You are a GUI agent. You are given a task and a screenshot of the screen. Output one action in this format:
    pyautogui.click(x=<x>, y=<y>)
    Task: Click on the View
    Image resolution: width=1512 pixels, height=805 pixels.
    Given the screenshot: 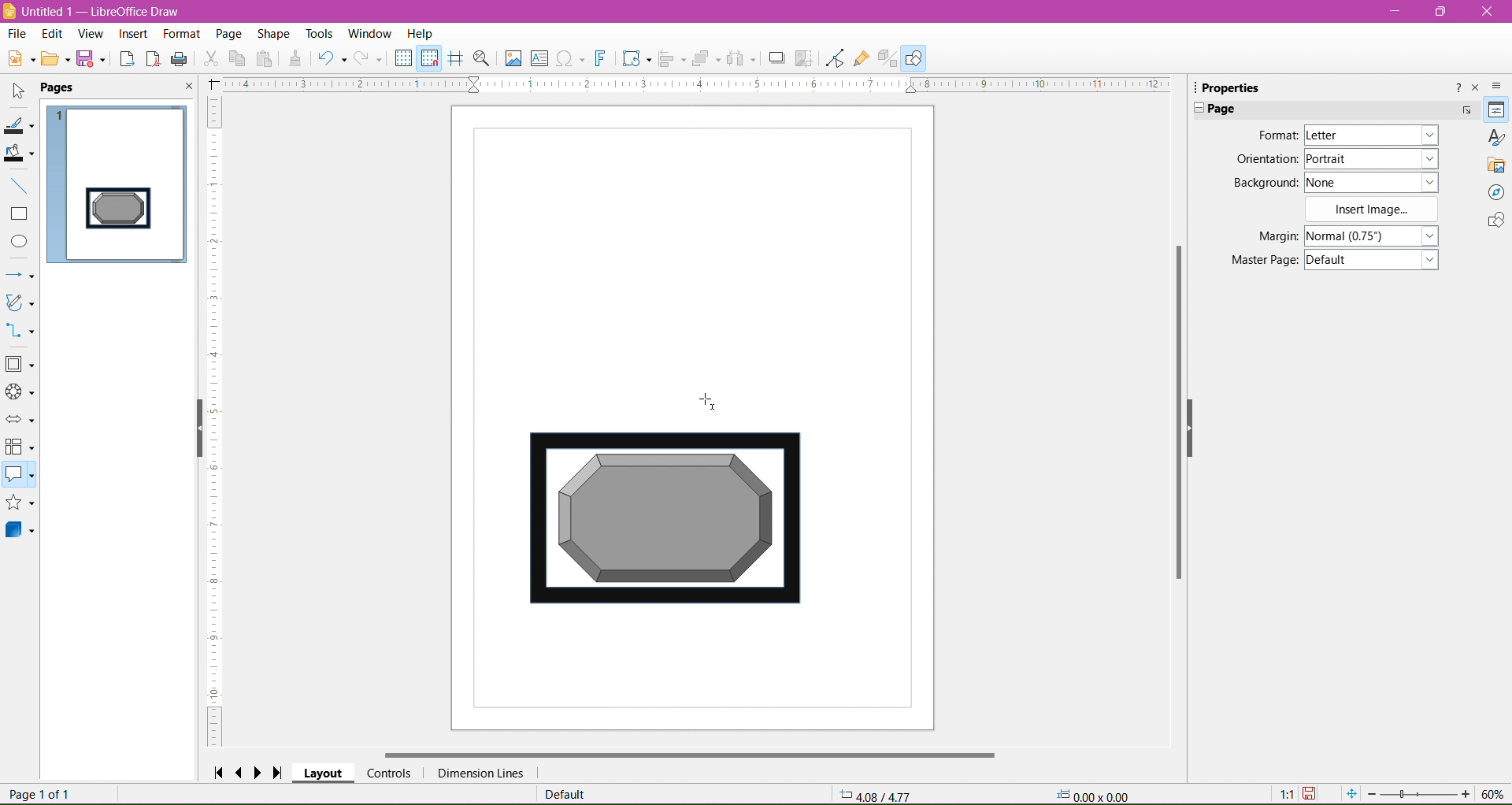 What is the action you would take?
    pyautogui.click(x=90, y=33)
    